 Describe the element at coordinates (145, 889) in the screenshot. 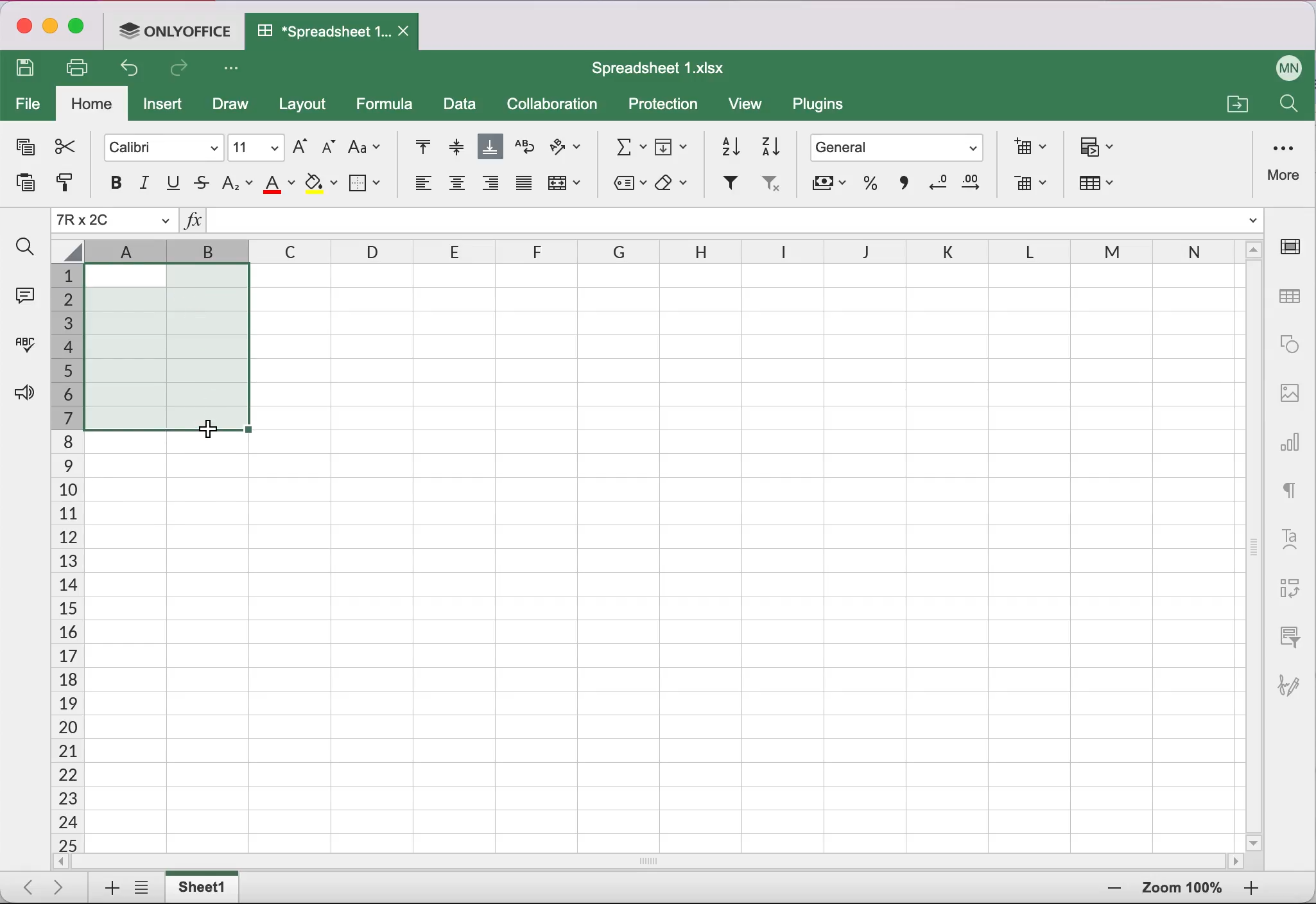

I see `list of sheets` at that location.